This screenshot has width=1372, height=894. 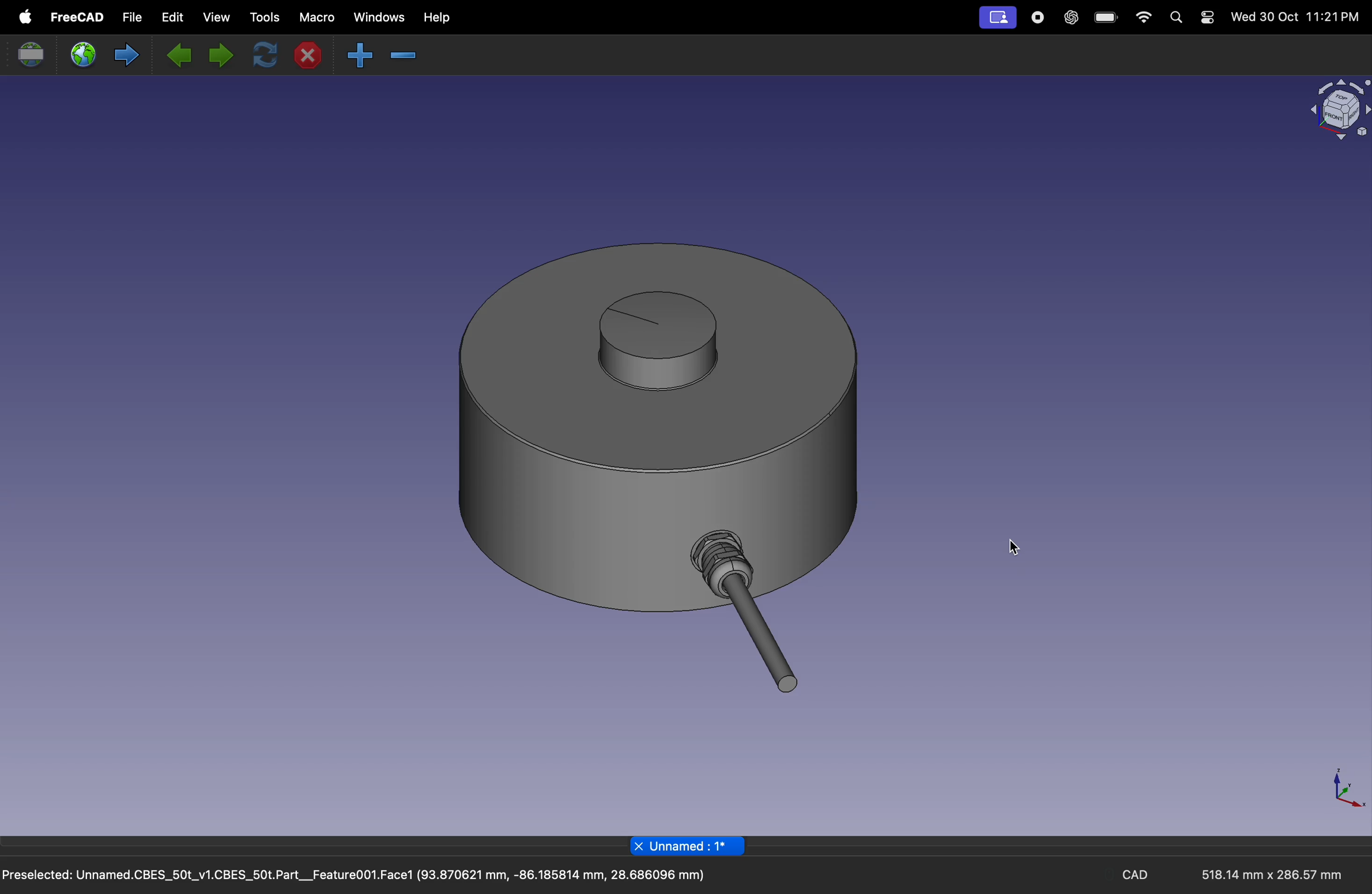 What do you see at coordinates (1337, 111) in the screenshot?
I see `object view` at bounding box center [1337, 111].